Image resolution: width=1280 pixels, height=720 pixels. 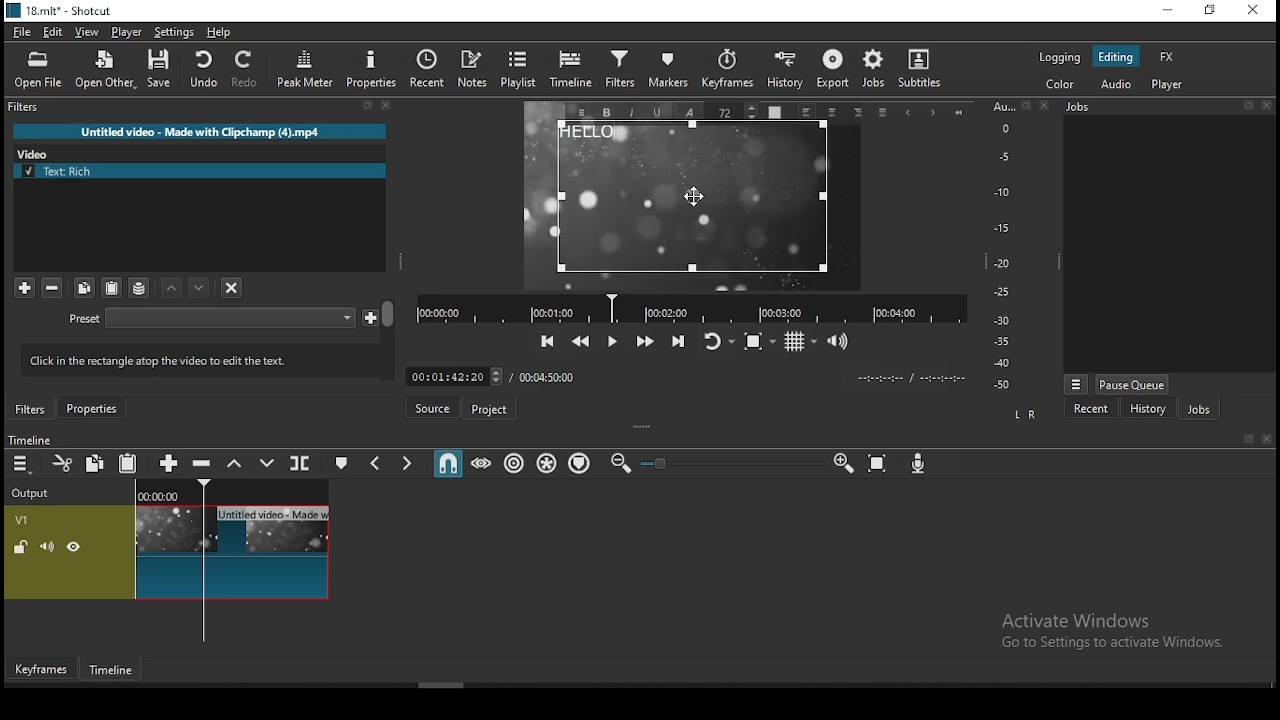 What do you see at coordinates (1250, 439) in the screenshot?
I see `Detach` at bounding box center [1250, 439].